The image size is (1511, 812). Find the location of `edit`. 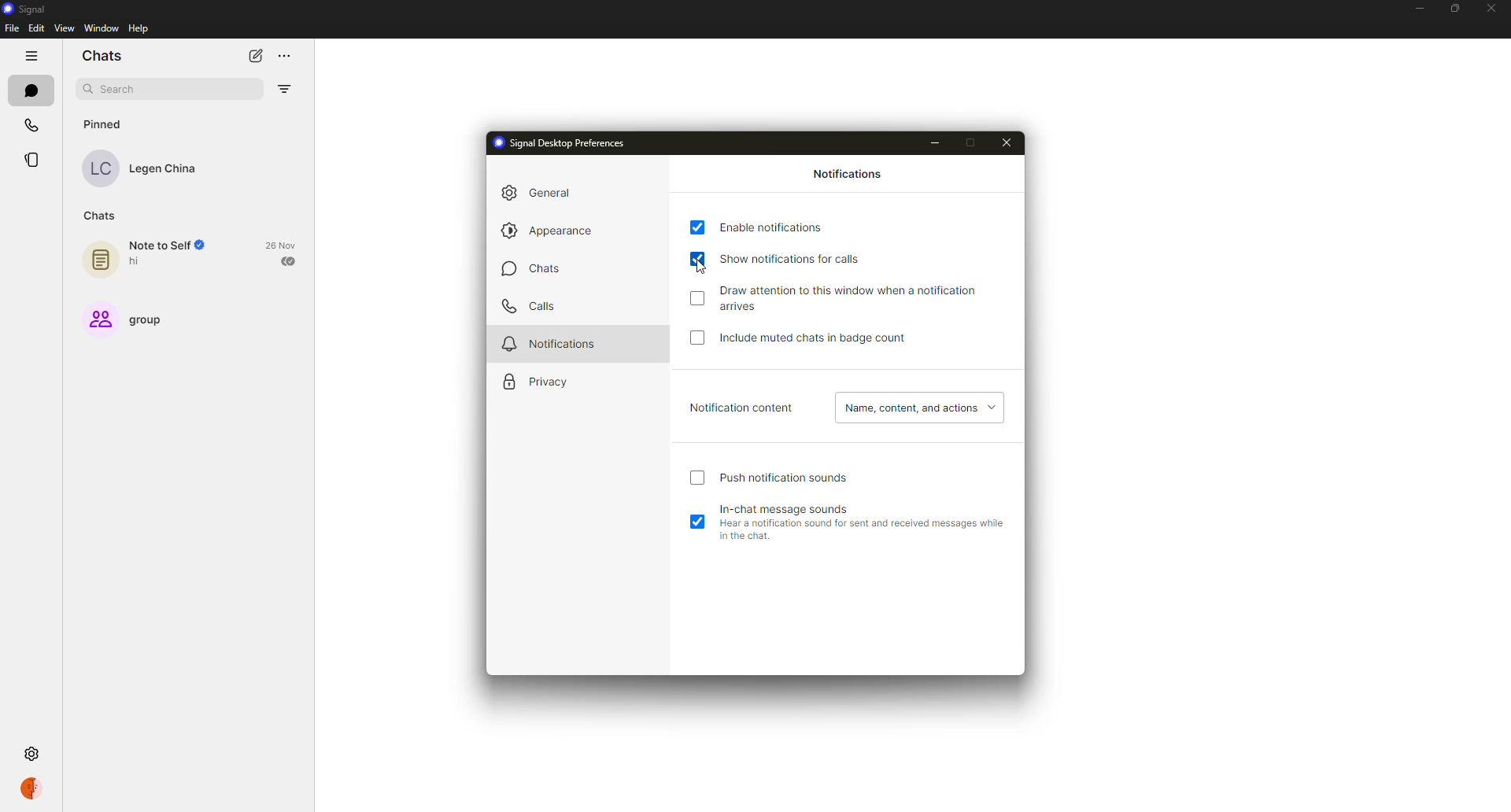

edit is located at coordinates (38, 28).